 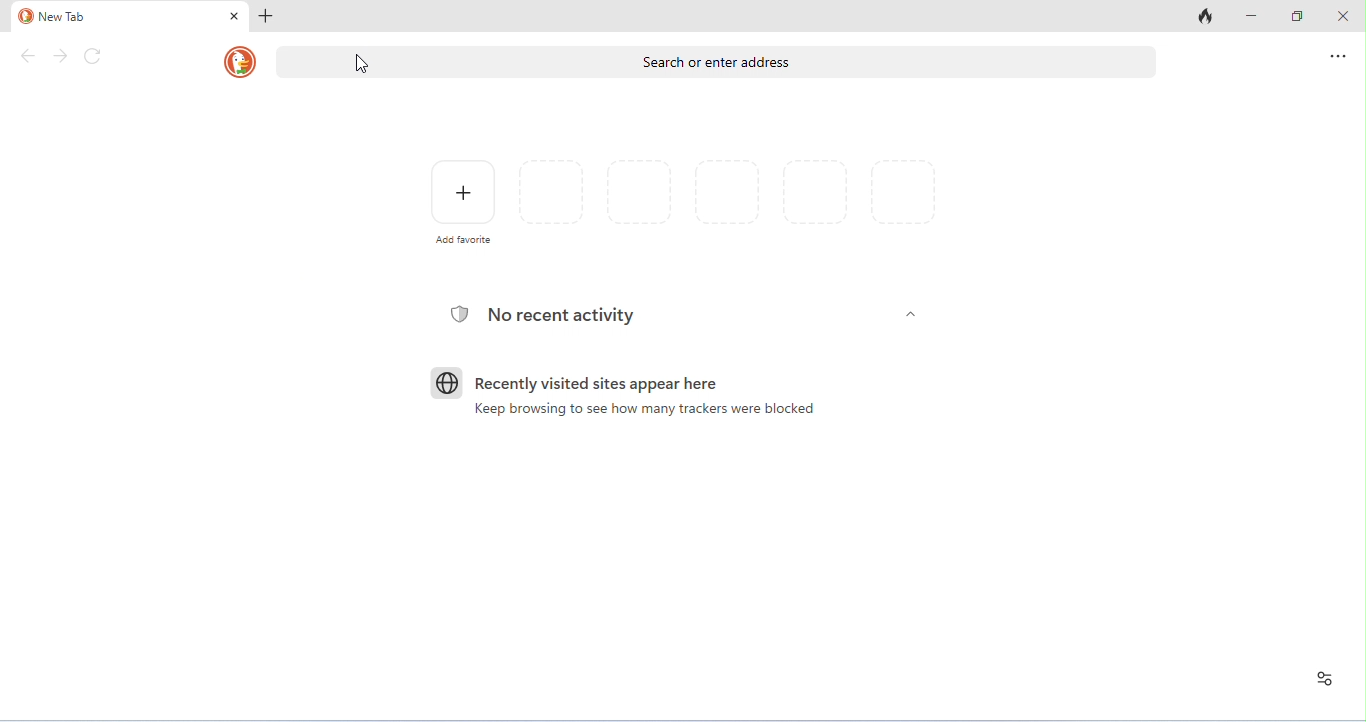 What do you see at coordinates (241, 61) in the screenshot?
I see `DuckDuckGo logo` at bounding box center [241, 61].